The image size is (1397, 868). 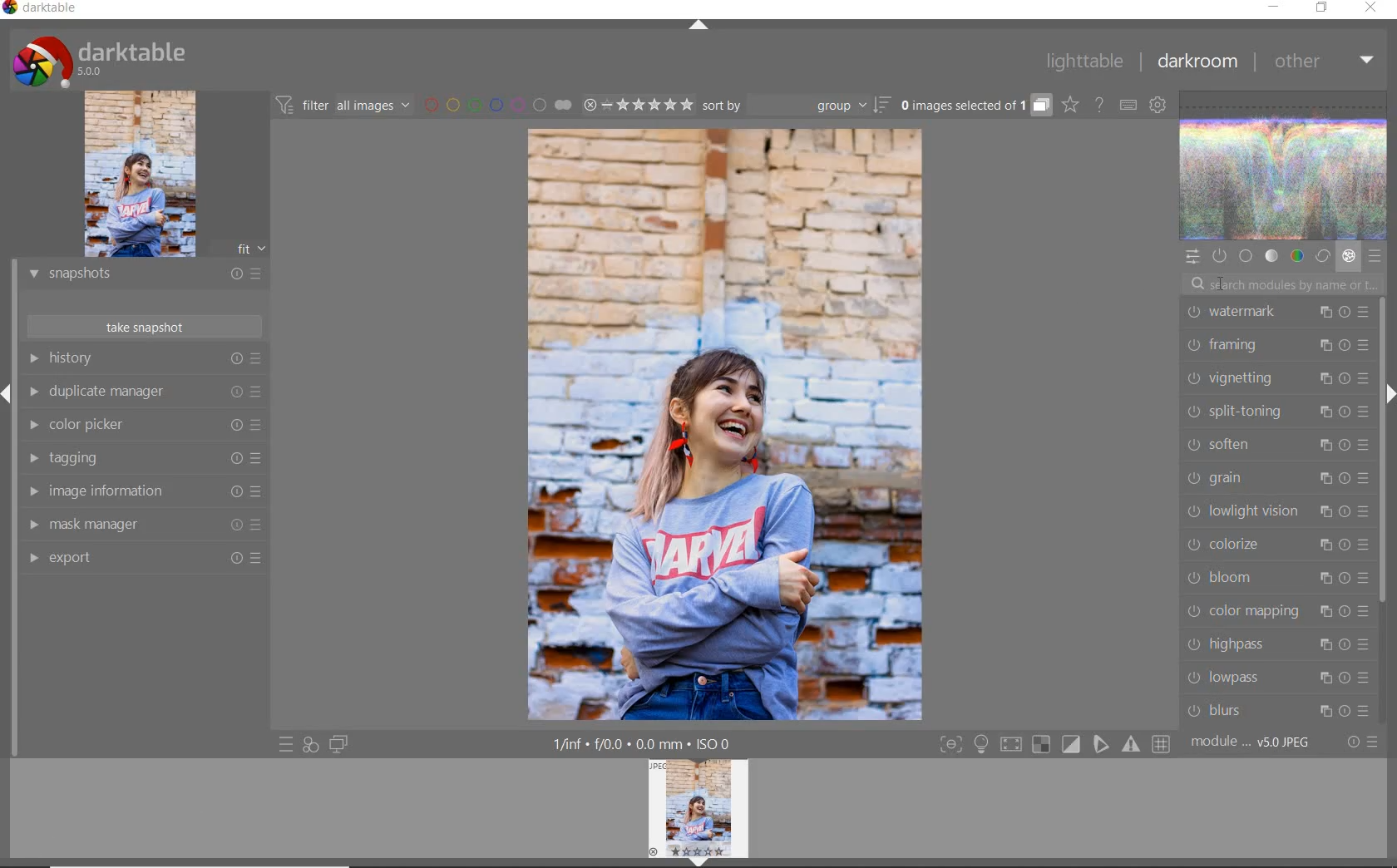 What do you see at coordinates (146, 393) in the screenshot?
I see `duplicate manager` at bounding box center [146, 393].